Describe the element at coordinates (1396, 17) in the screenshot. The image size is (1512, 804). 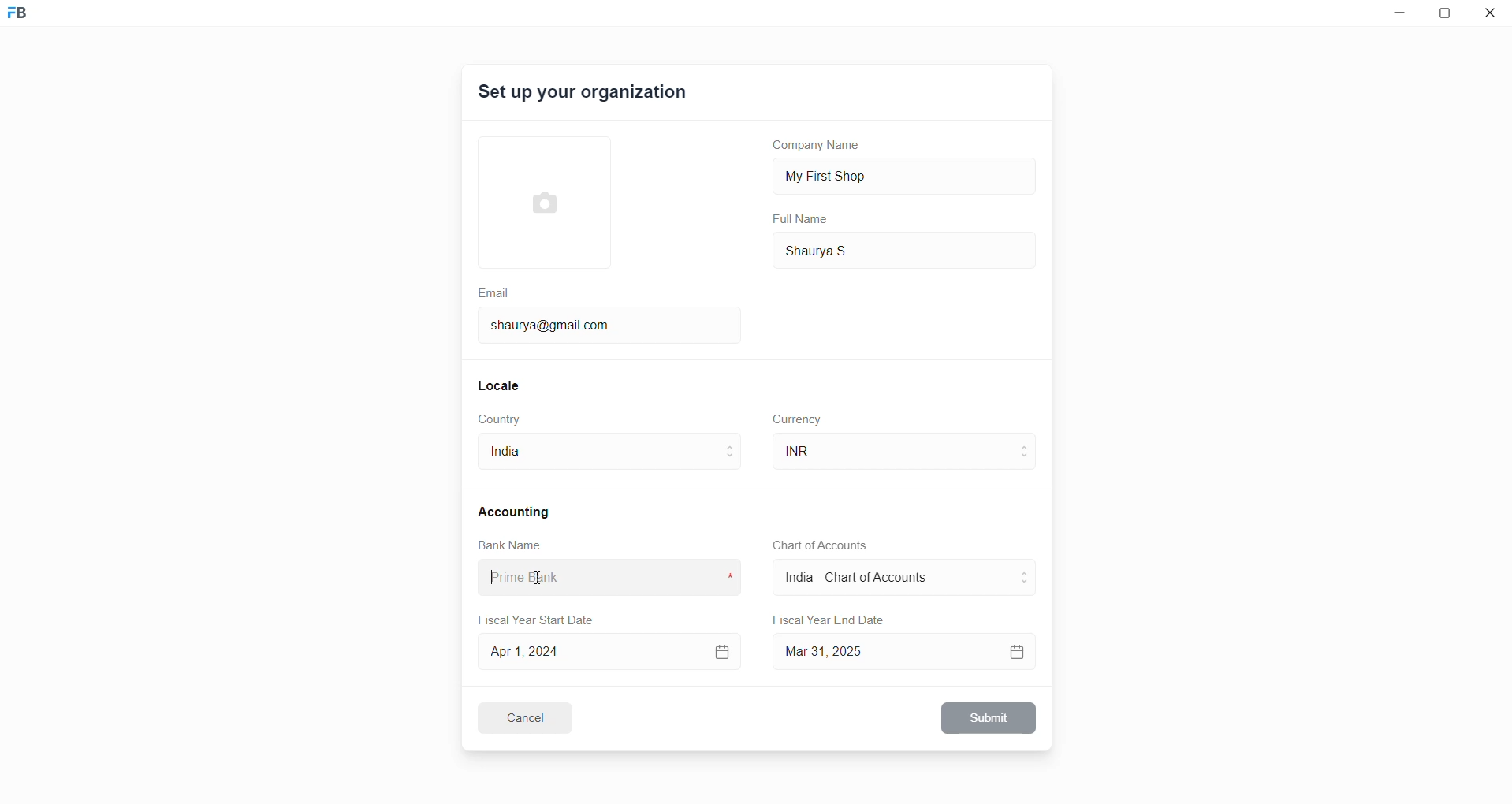
I see `minimize` at that location.